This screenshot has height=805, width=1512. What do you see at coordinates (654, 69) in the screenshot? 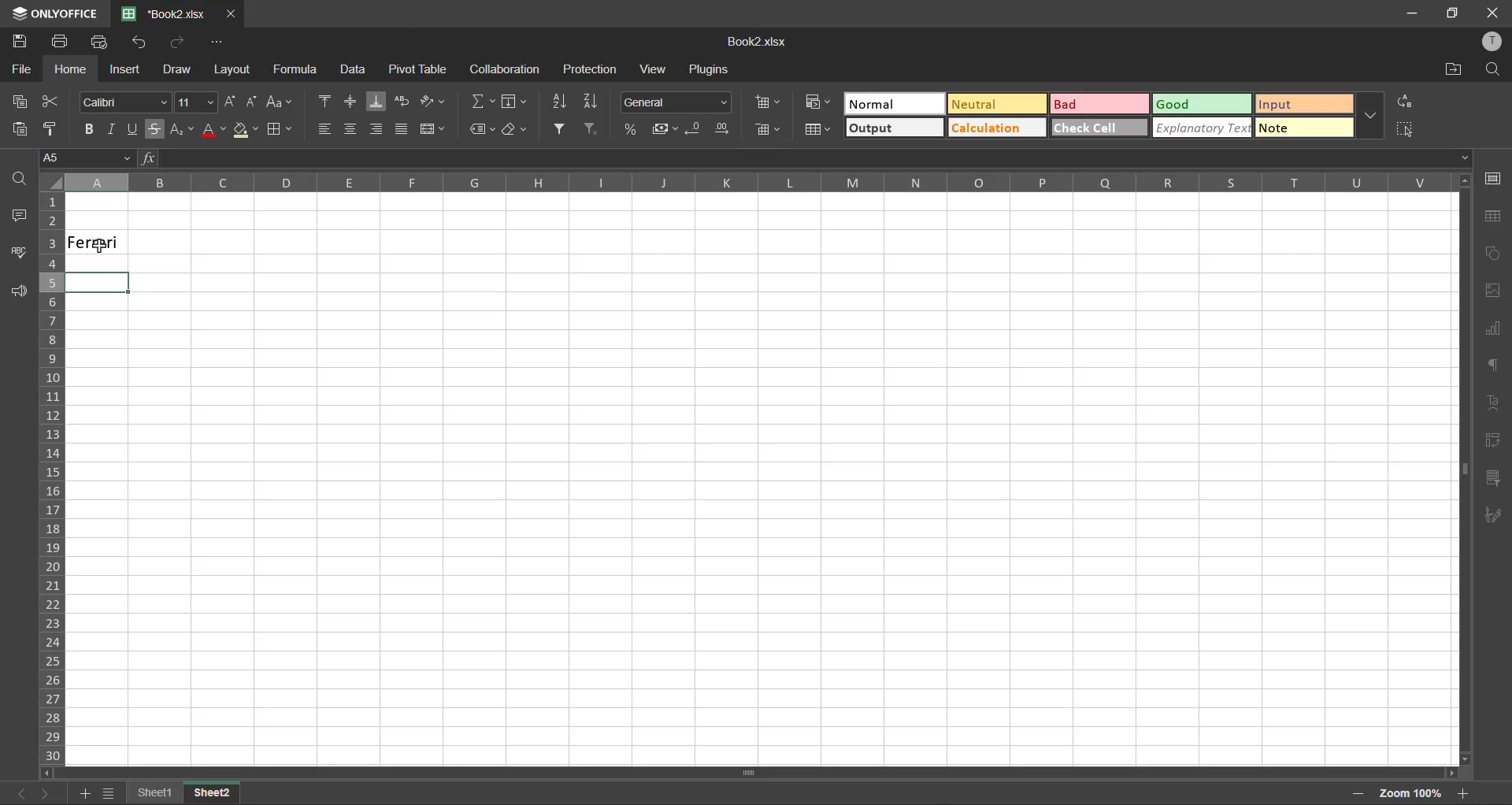
I see `view` at bounding box center [654, 69].